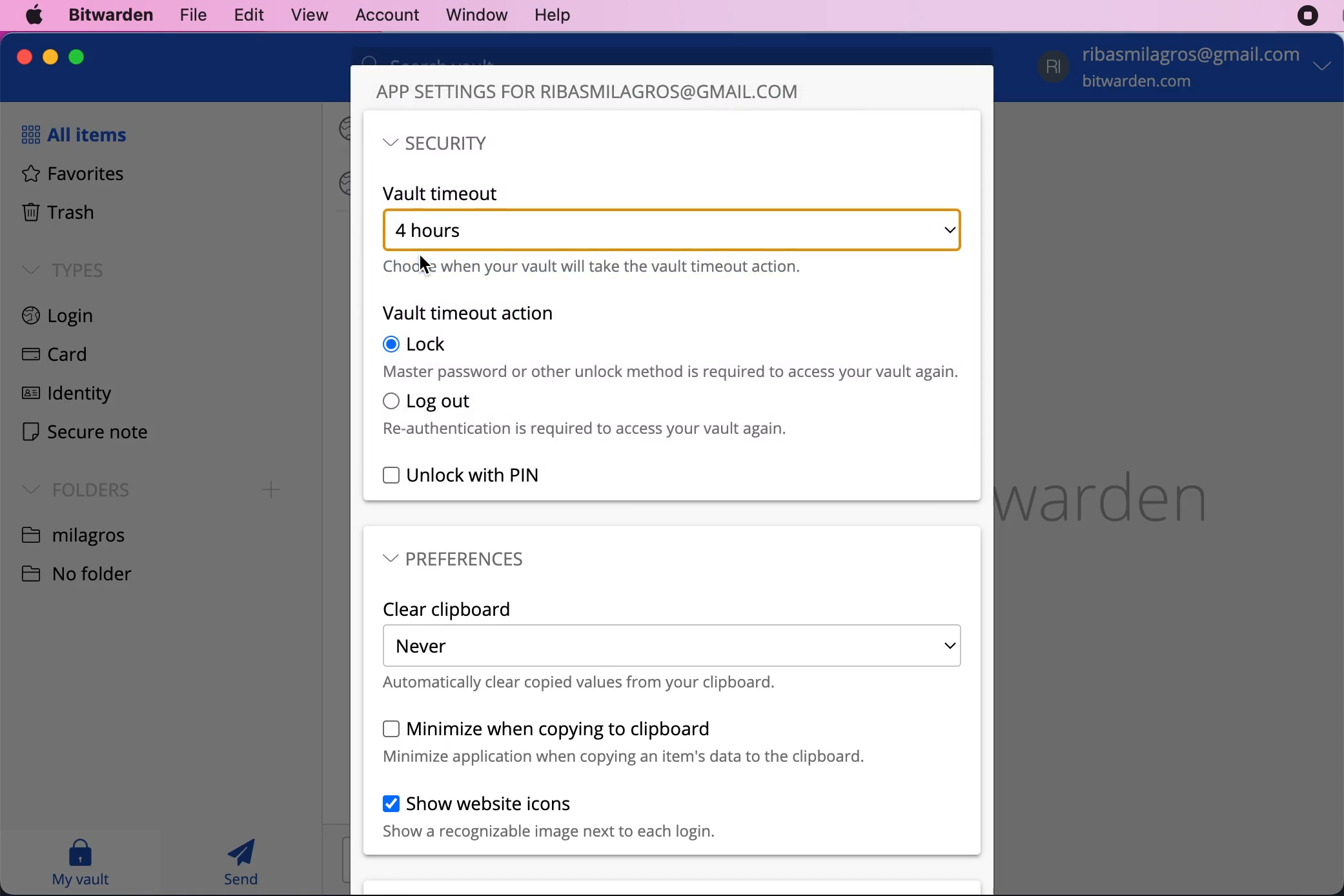 This screenshot has width=1344, height=896. What do you see at coordinates (272, 490) in the screenshot?
I see `Add folder` at bounding box center [272, 490].